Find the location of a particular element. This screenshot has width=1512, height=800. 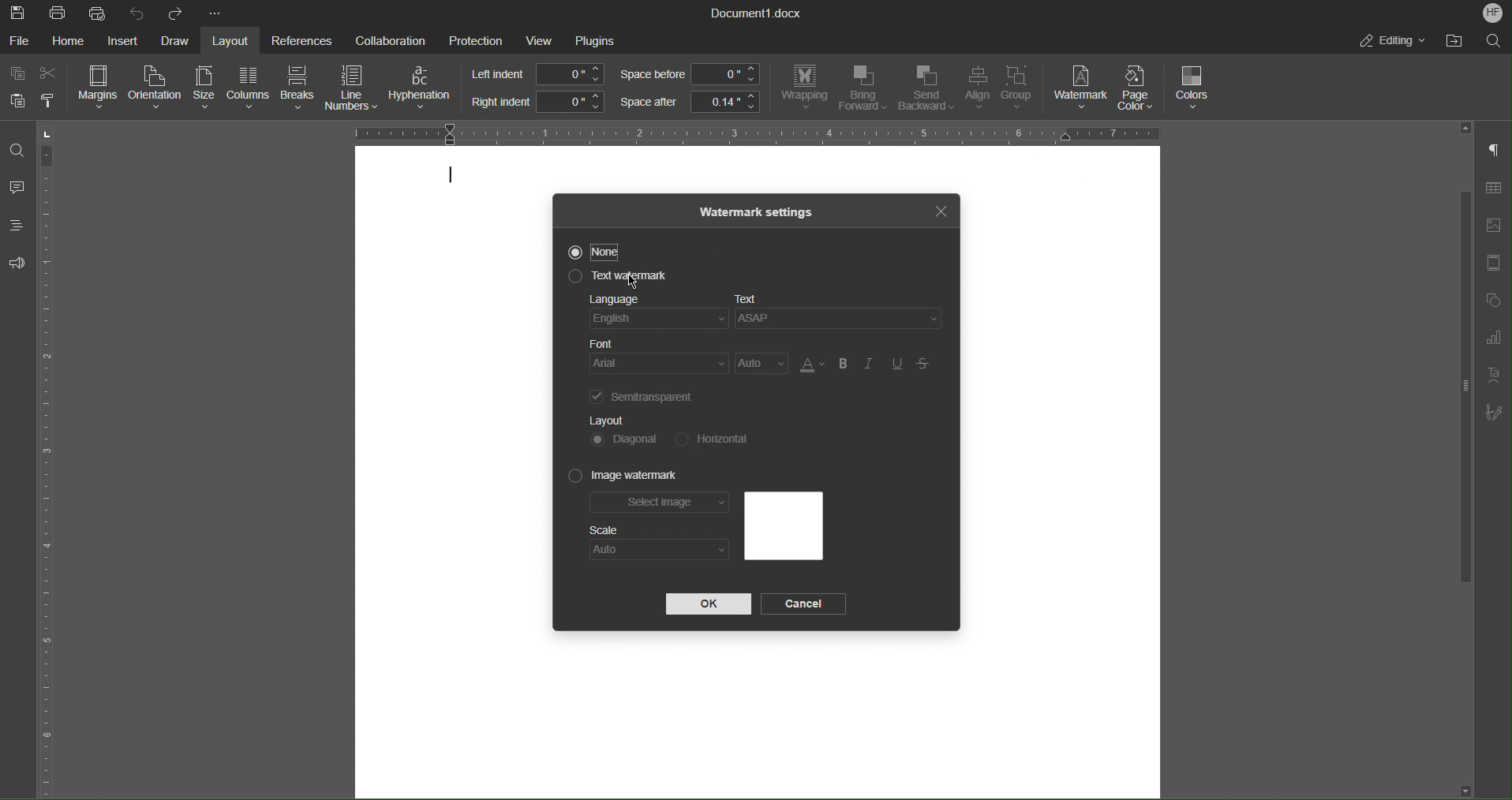

Save is located at coordinates (19, 13).